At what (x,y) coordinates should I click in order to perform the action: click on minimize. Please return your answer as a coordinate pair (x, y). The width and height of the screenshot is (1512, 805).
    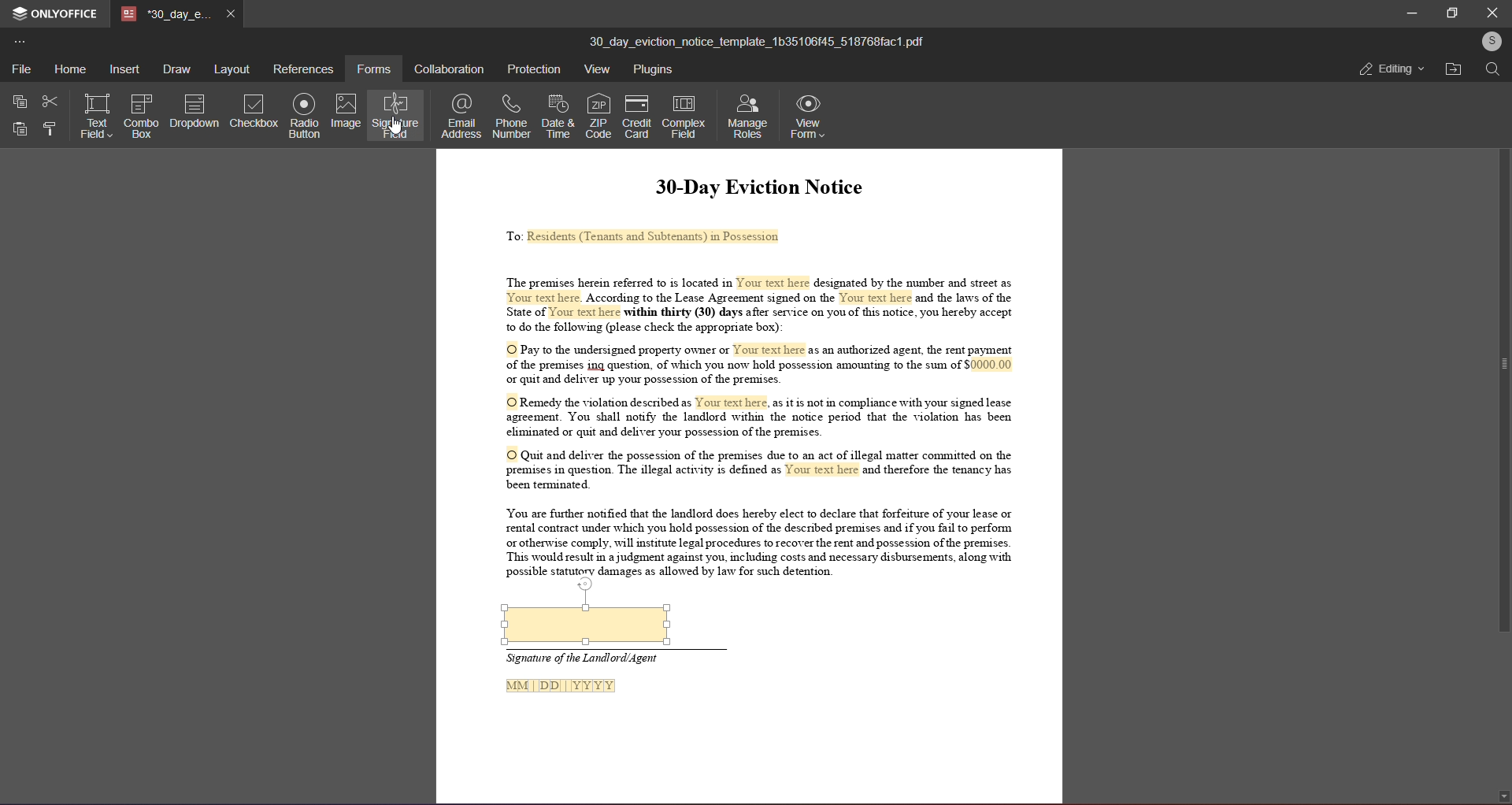
    Looking at the image, I should click on (1404, 12).